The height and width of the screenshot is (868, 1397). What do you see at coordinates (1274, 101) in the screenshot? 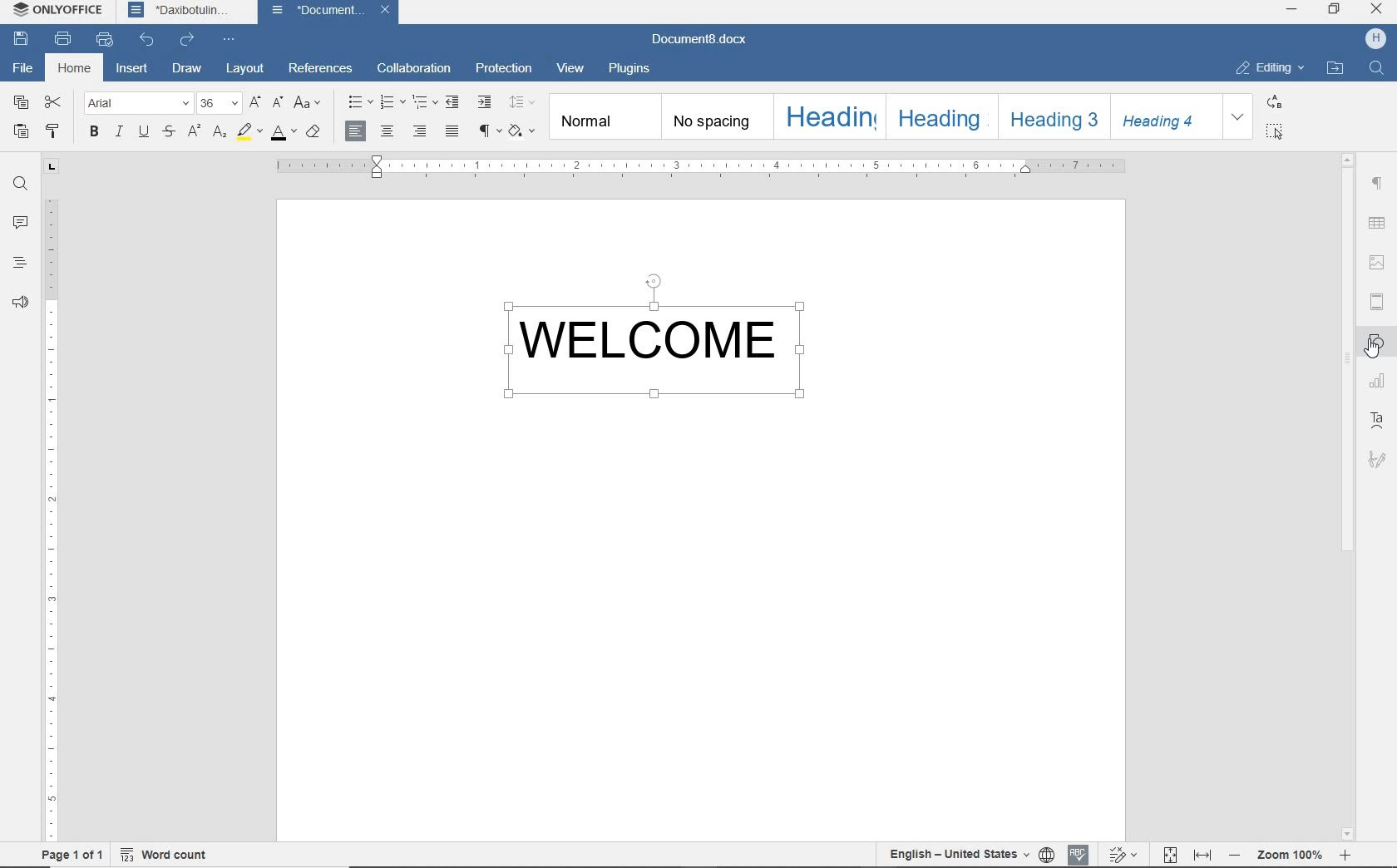
I see `REPLACE` at bounding box center [1274, 101].